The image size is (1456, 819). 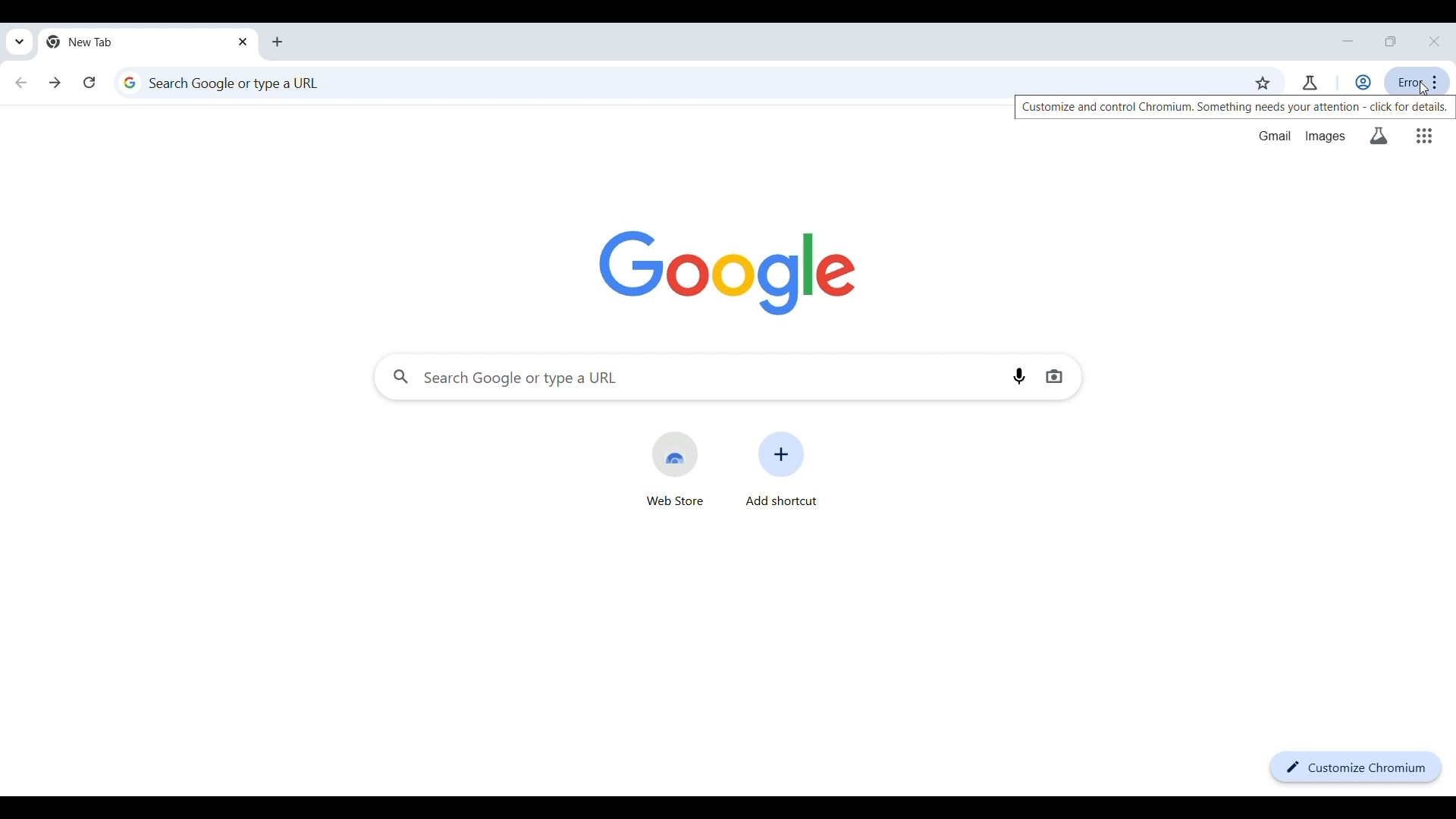 What do you see at coordinates (1275, 136) in the screenshot?
I see `Open Gmail` at bounding box center [1275, 136].